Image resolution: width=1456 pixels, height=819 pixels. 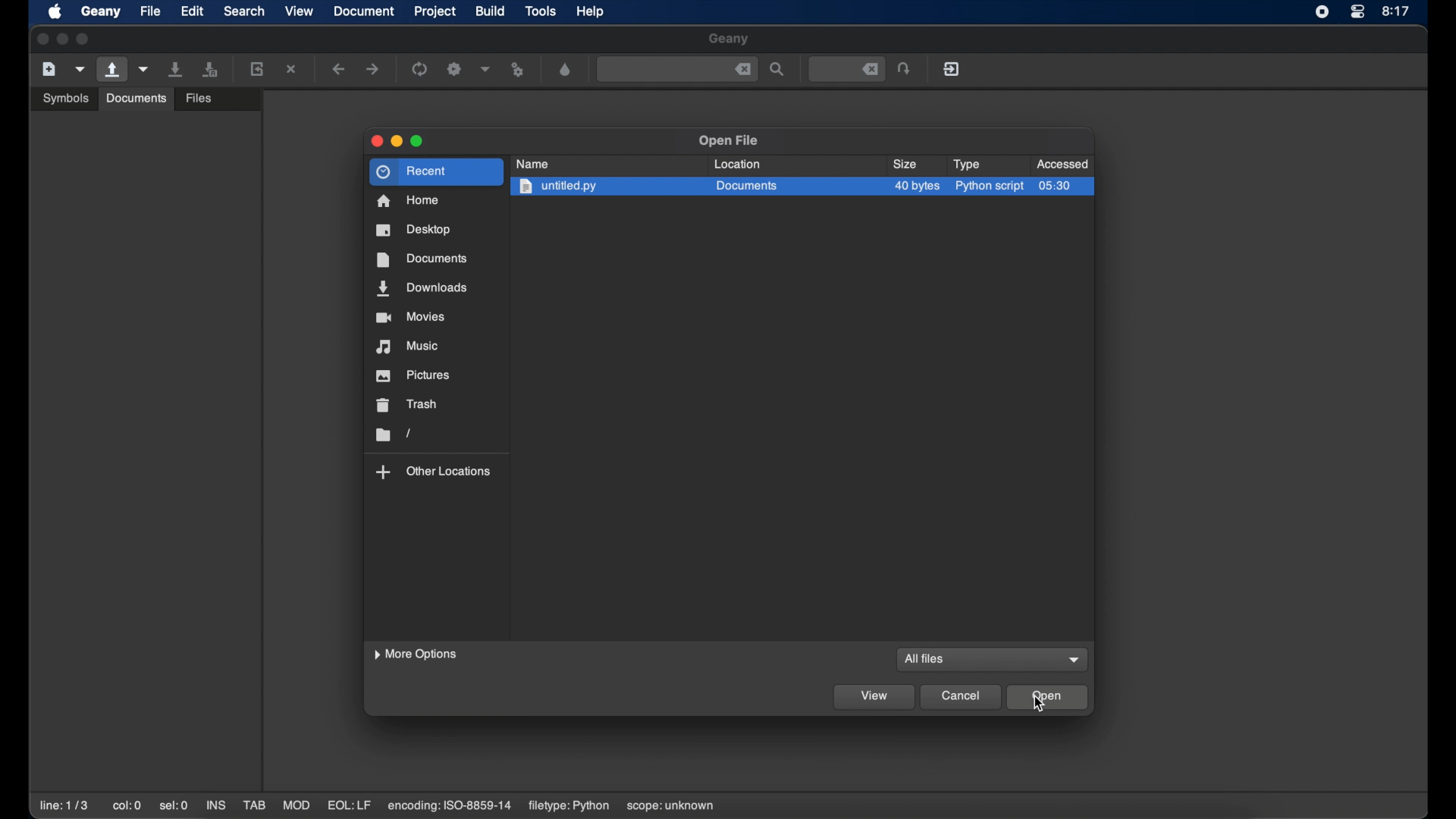 I want to click on desktop, so click(x=413, y=230).